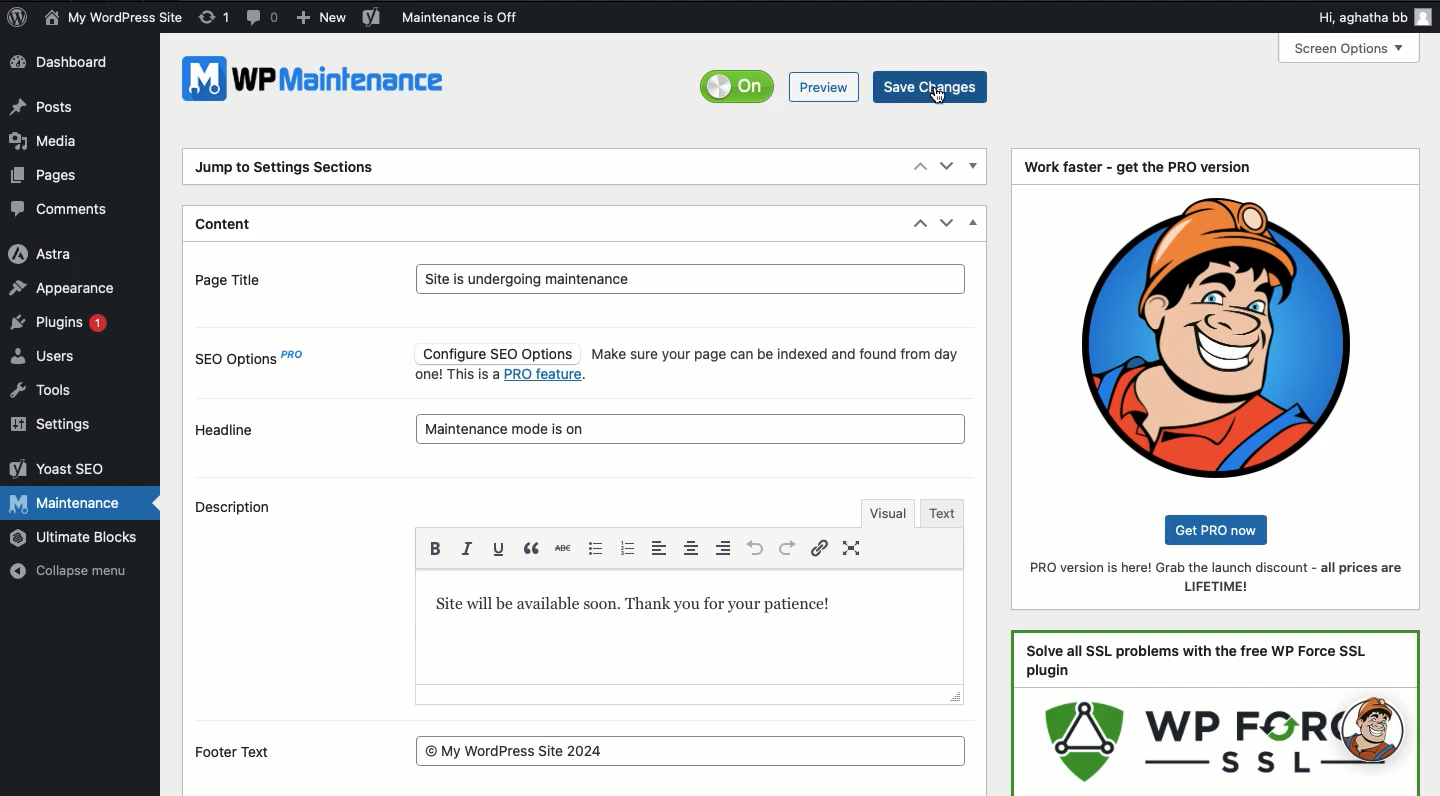  I want to click on Posts, so click(42, 105).